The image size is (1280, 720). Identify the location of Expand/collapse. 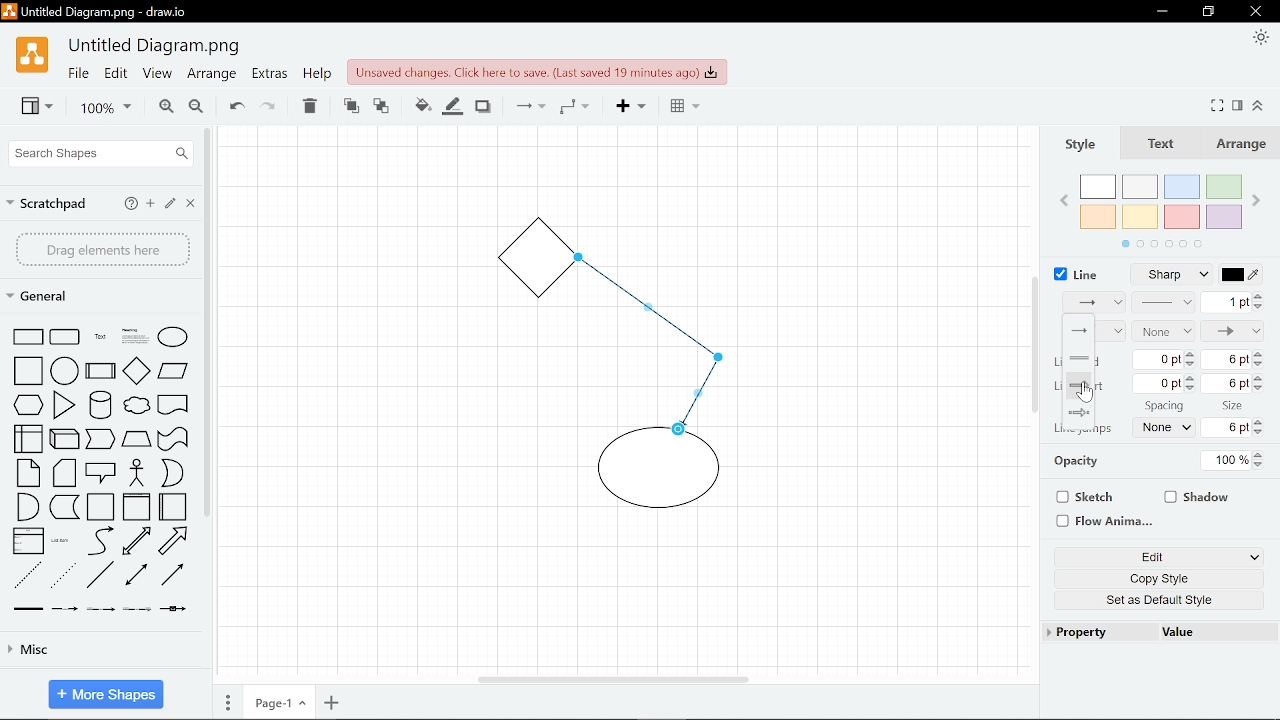
(1261, 106).